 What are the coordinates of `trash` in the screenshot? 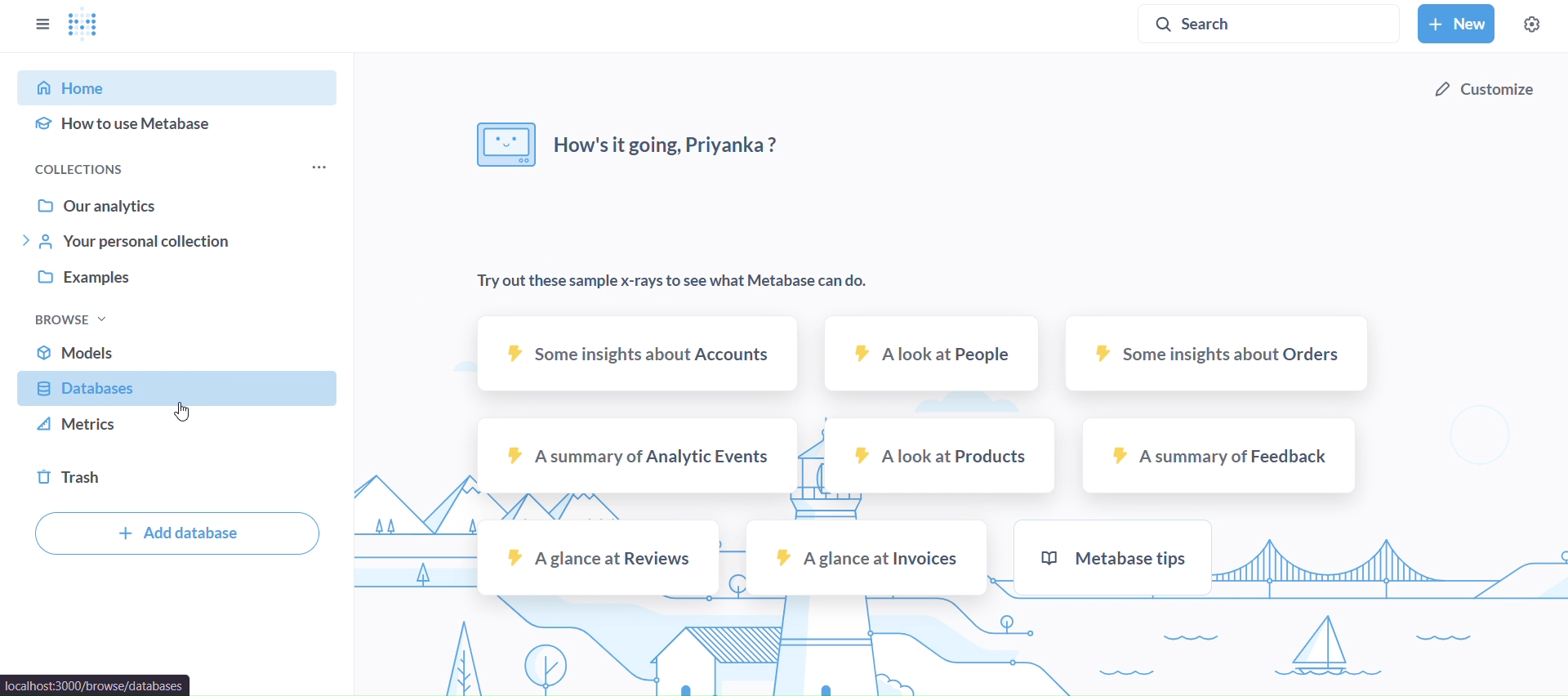 It's located at (180, 477).